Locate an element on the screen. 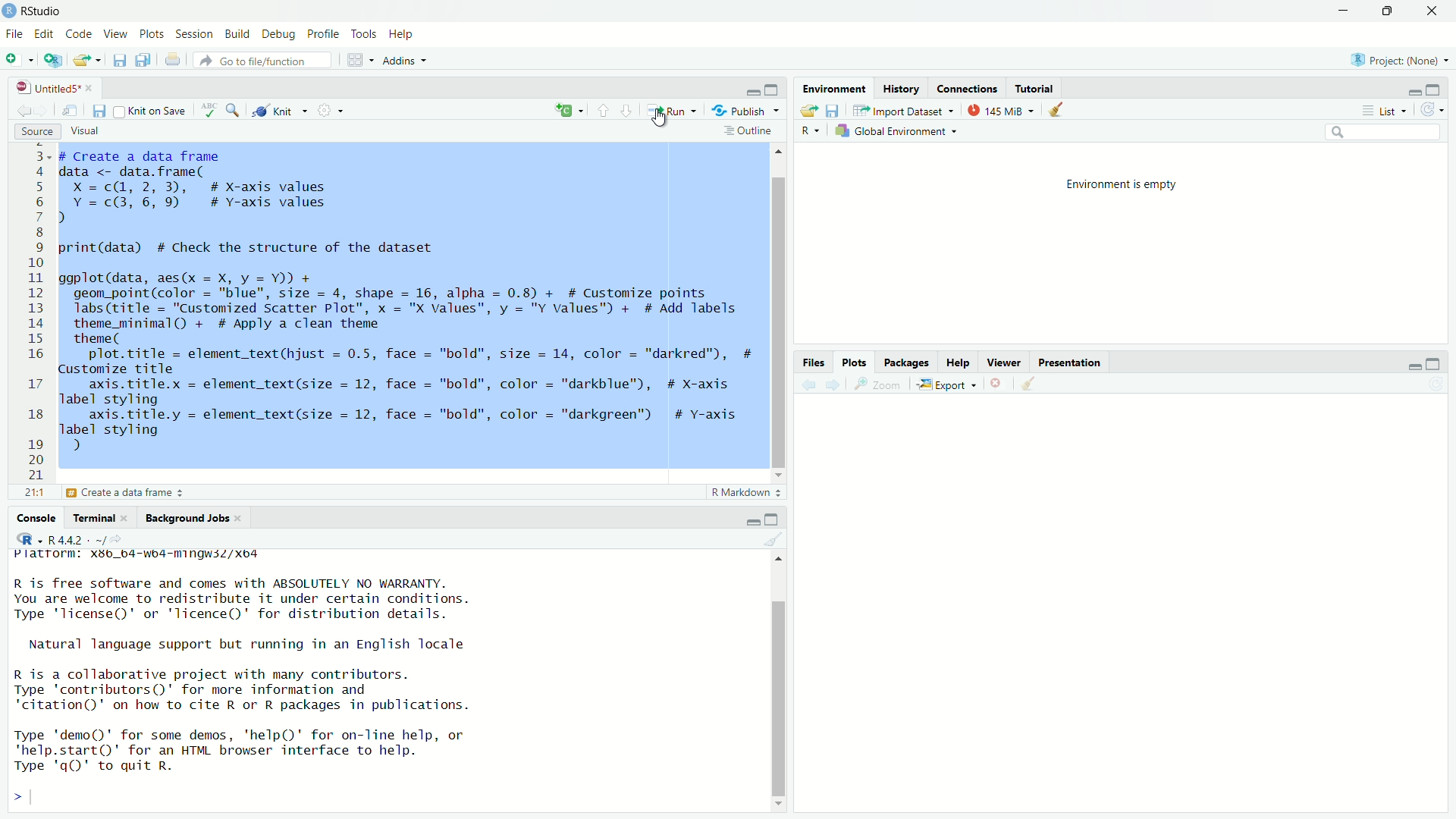 The width and height of the screenshot is (1456, 819). Outline is located at coordinates (748, 133).